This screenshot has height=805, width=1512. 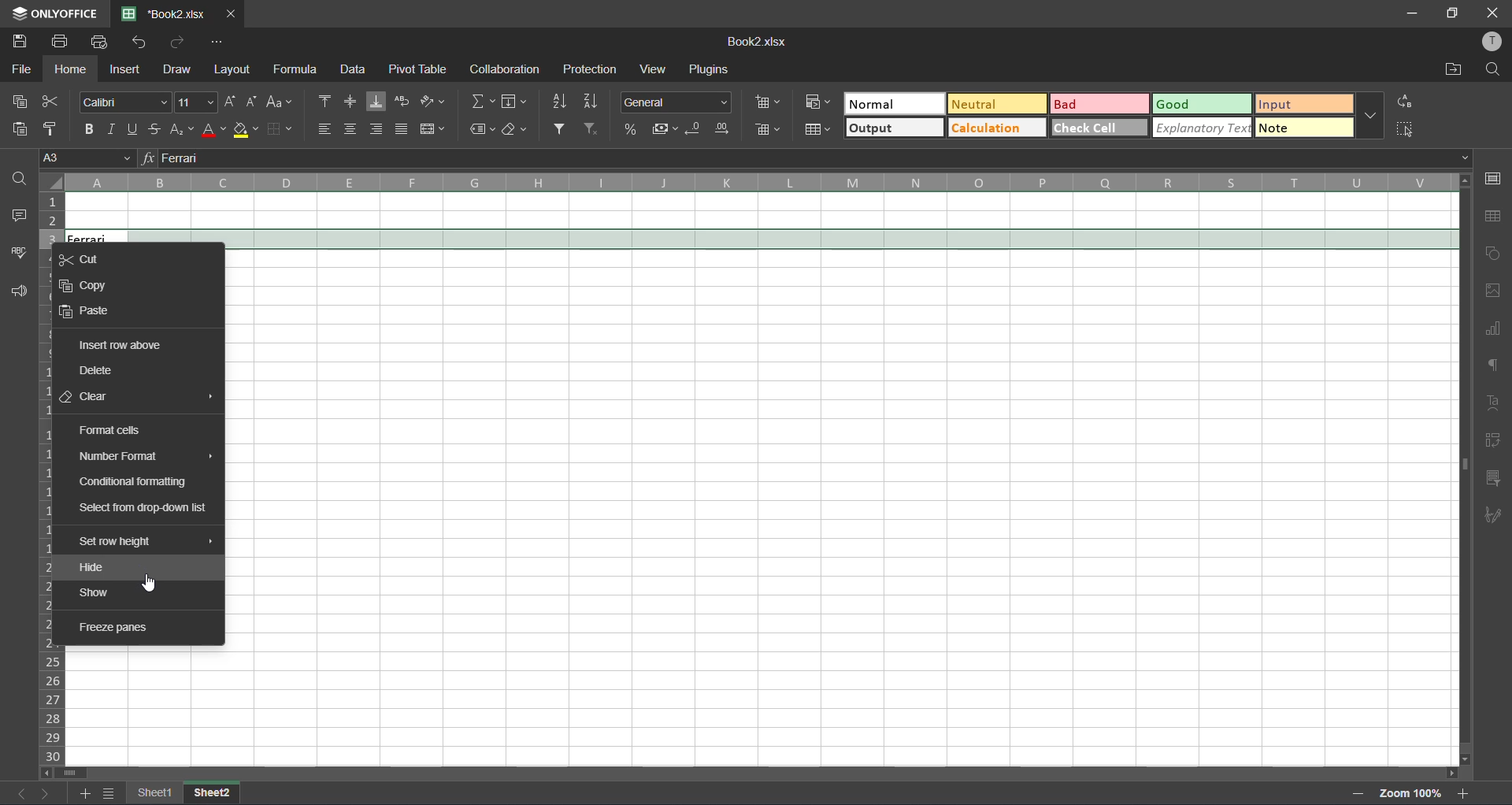 What do you see at coordinates (422, 69) in the screenshot?
I see `pivot table` at bounding box center [422, 69].